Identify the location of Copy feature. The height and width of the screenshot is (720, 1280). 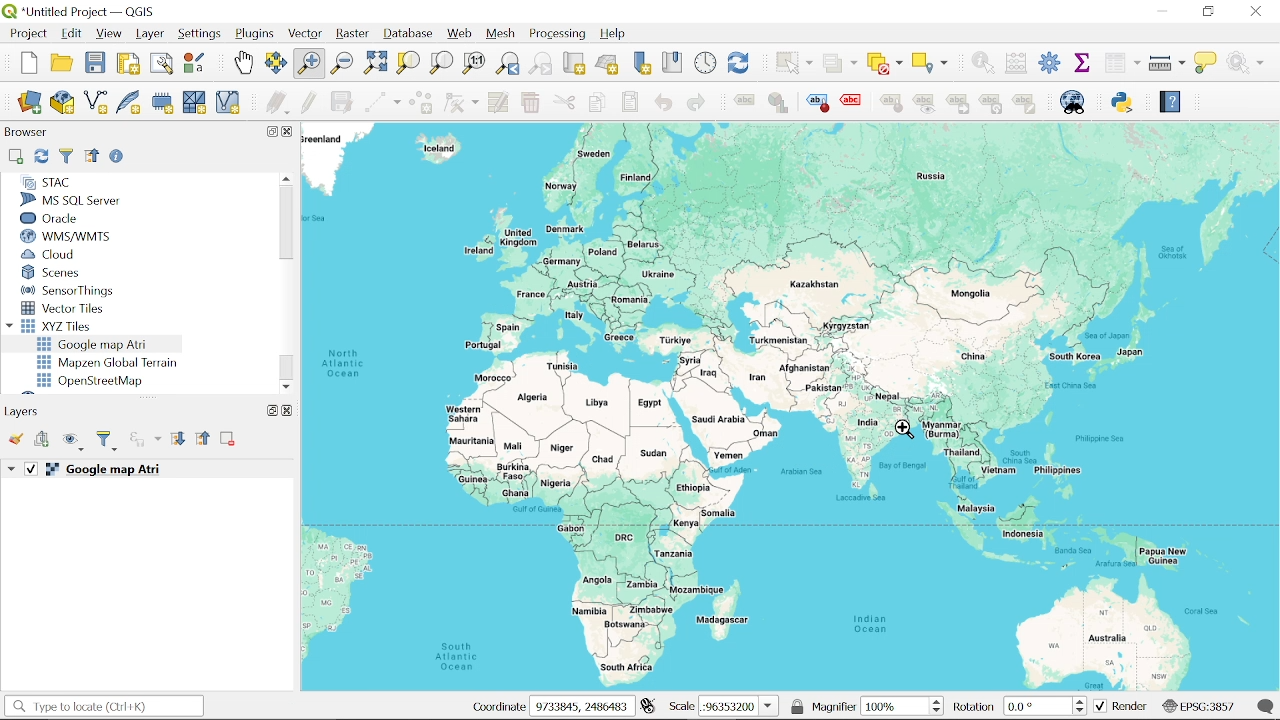
(596, 103).